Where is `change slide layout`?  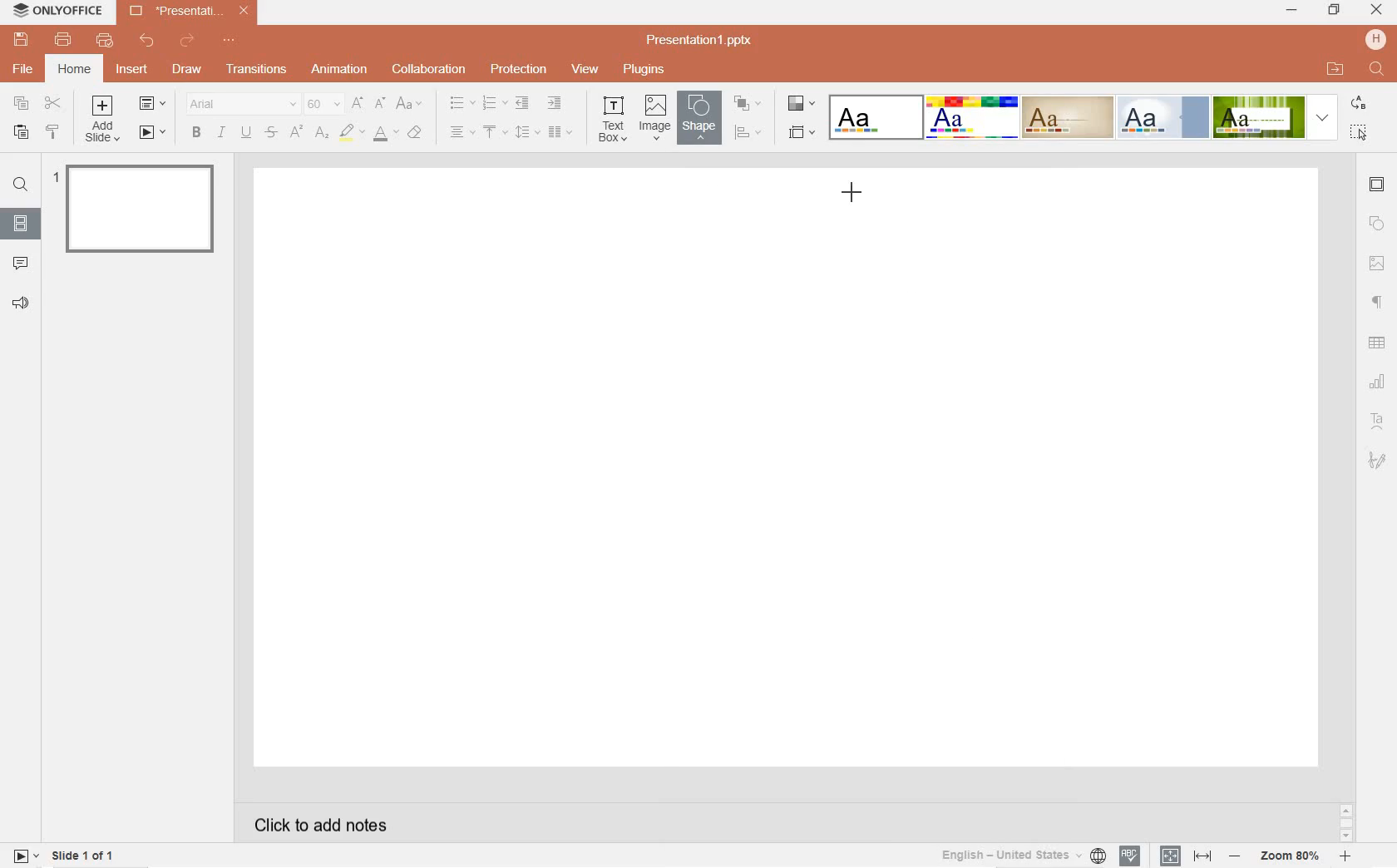 change slide layout is located at coordinates (153, 105).